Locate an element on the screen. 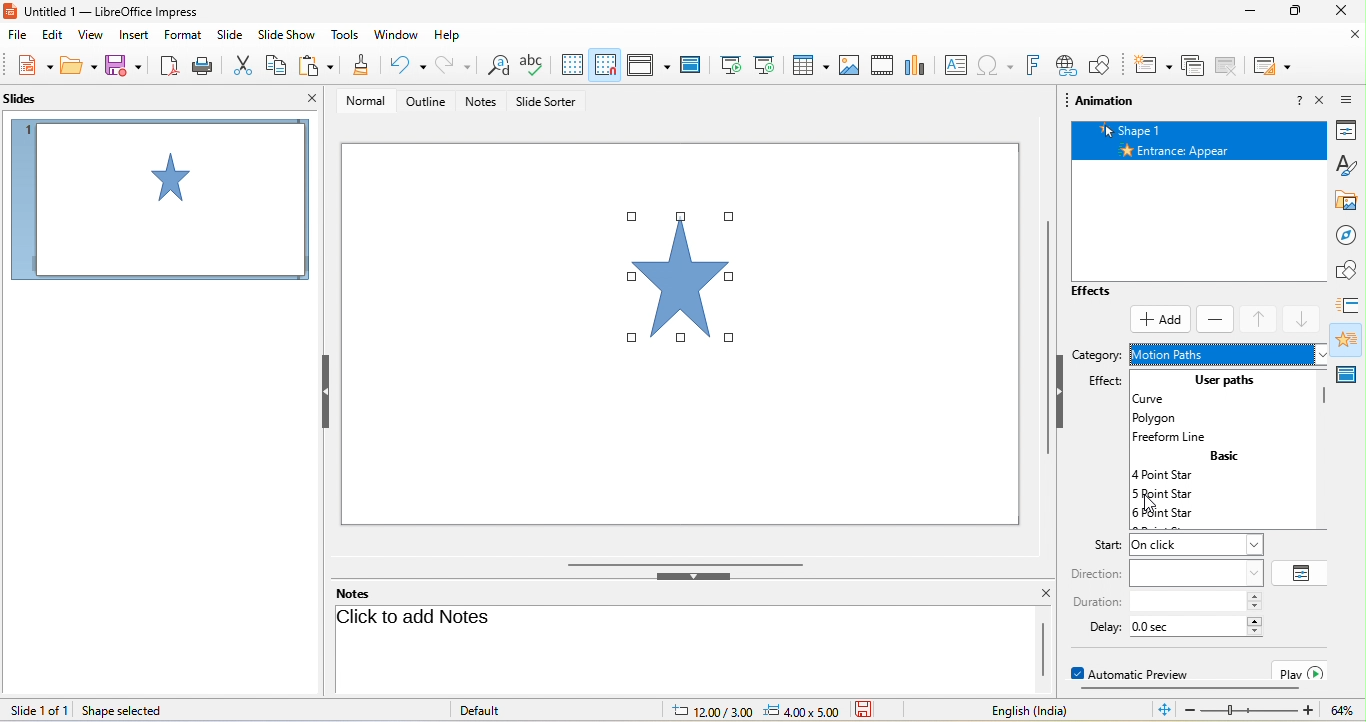  fontwork text is located at coordinates (1032, 66).